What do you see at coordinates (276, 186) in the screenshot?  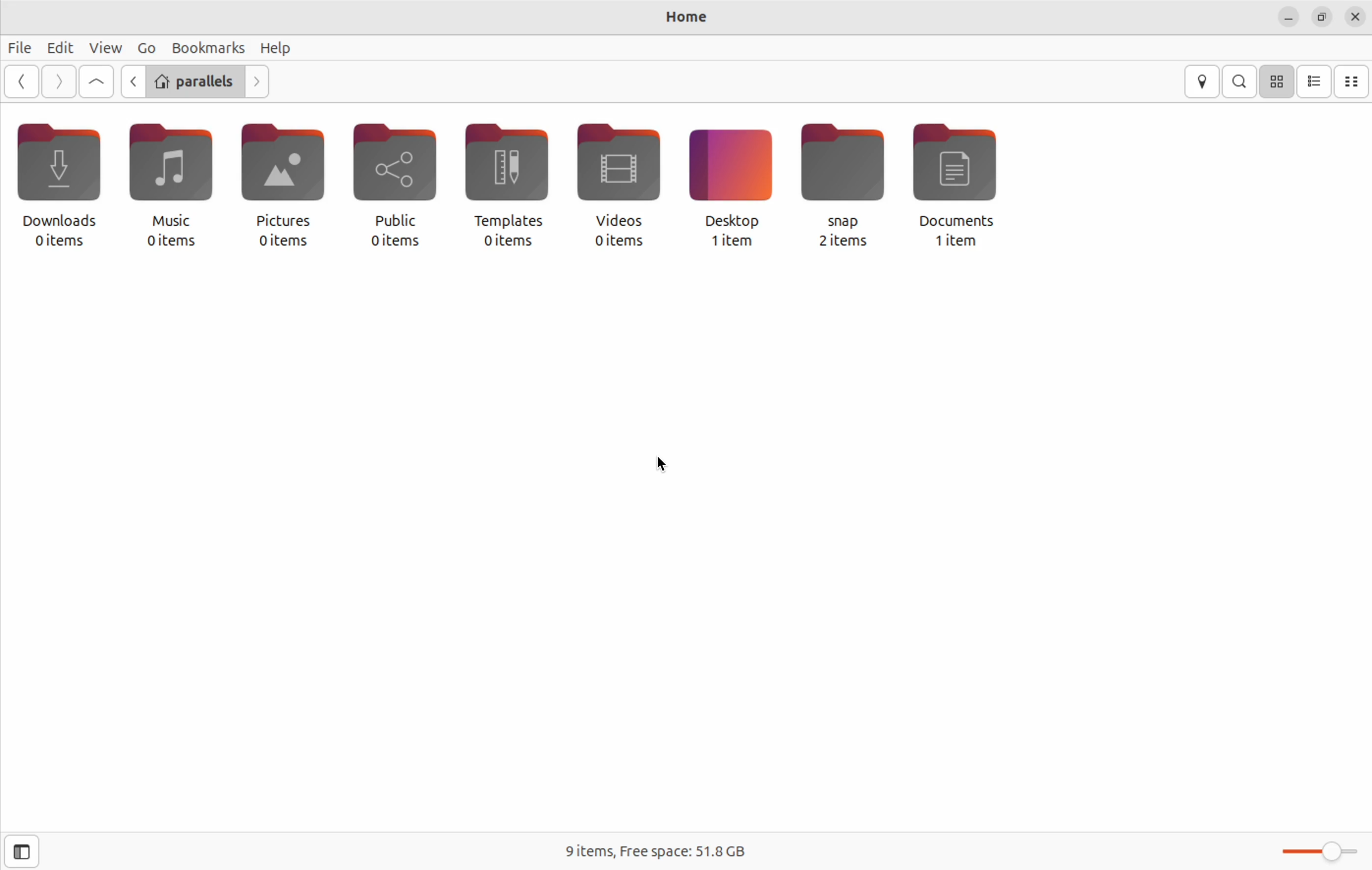 I see `pictures 0 items` at bounding box center [276, 186].